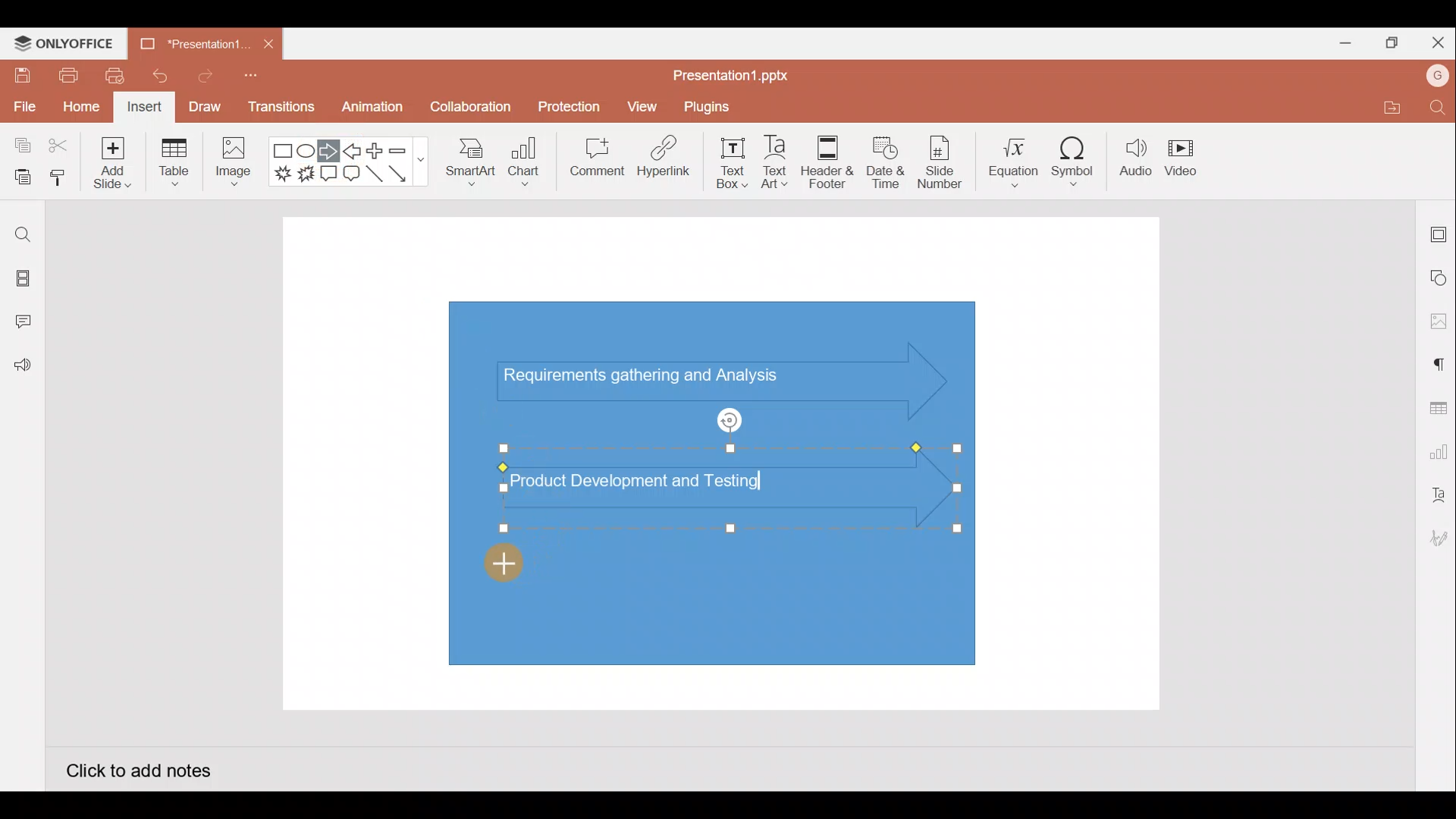 This screenshot has height=819, width=1456. I want to click on Feedback and Support, so click(22, 369).